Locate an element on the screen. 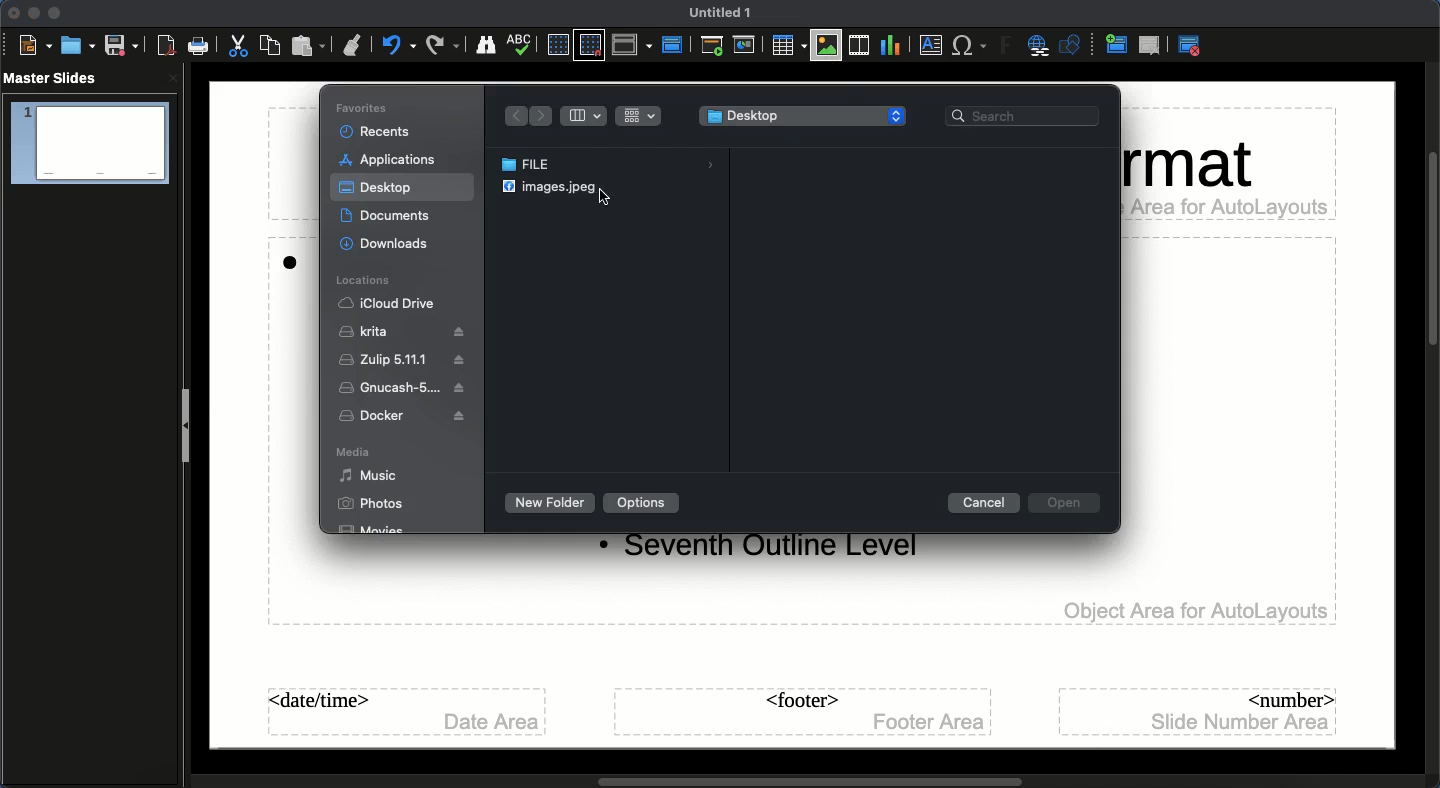  New folder is located at coordinates (550, 502).